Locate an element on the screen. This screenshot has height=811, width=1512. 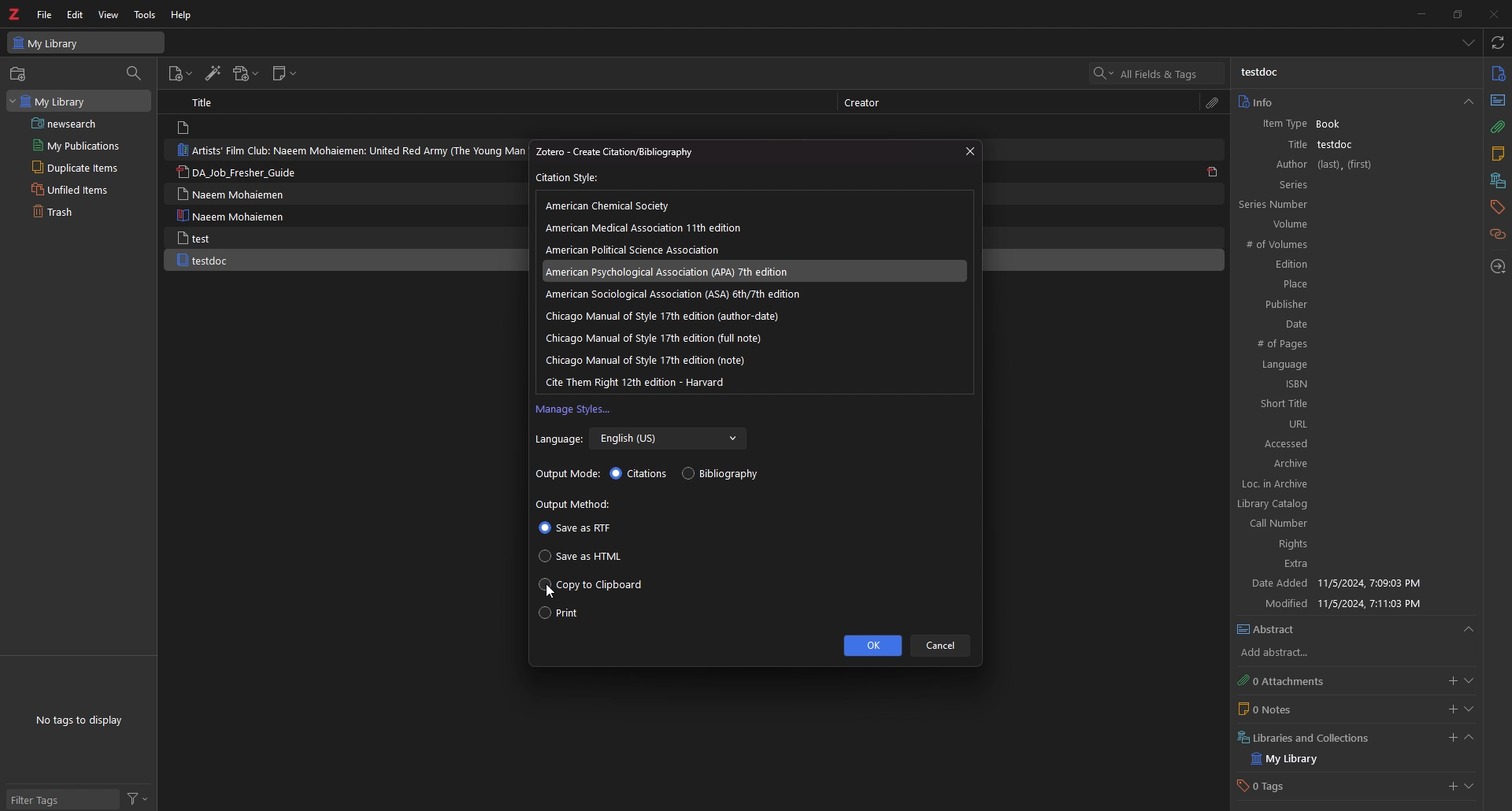
logo is located at coordinates (16, 14).